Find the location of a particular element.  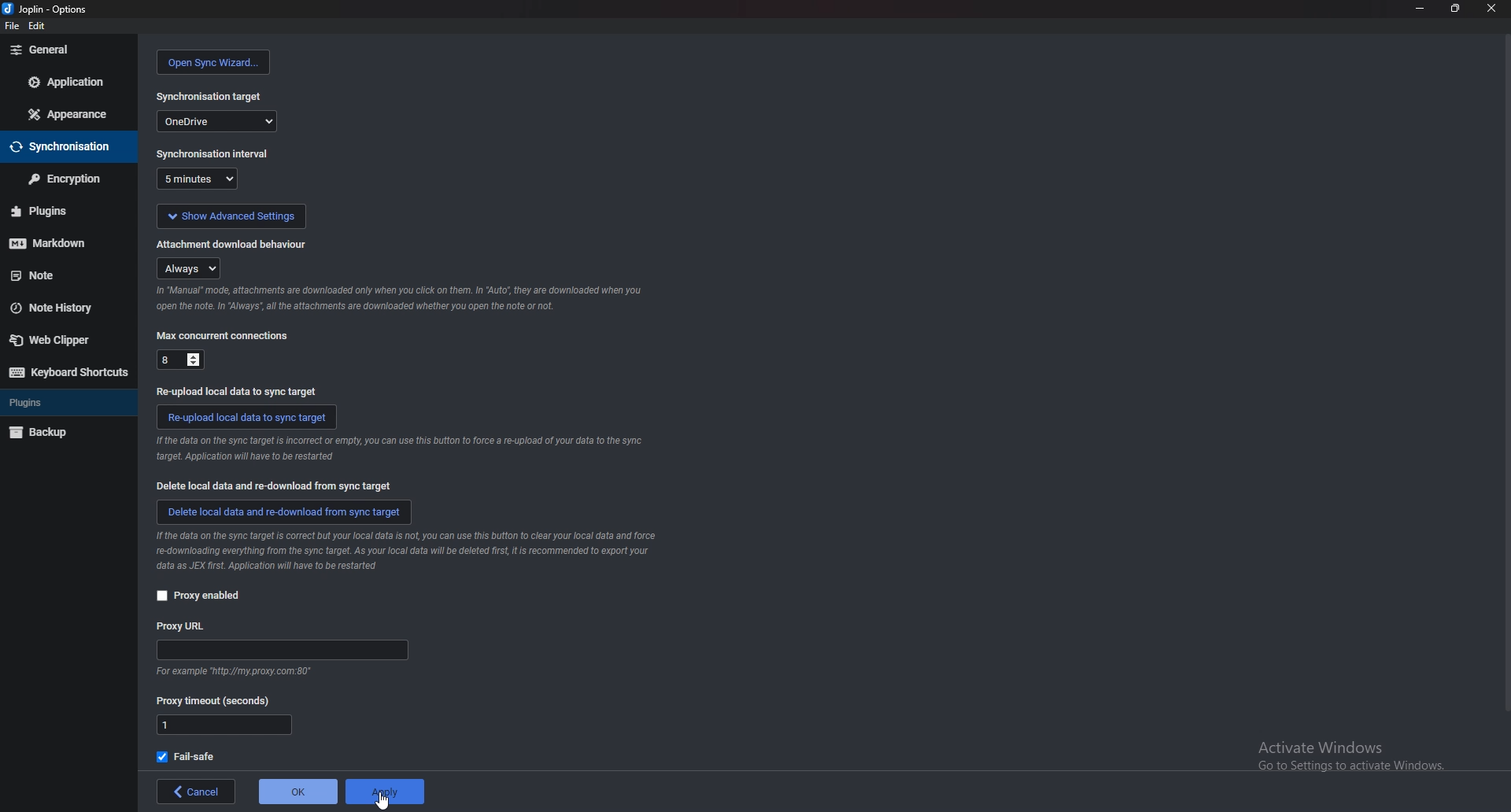

one drive is located at coordinates (217, 121).